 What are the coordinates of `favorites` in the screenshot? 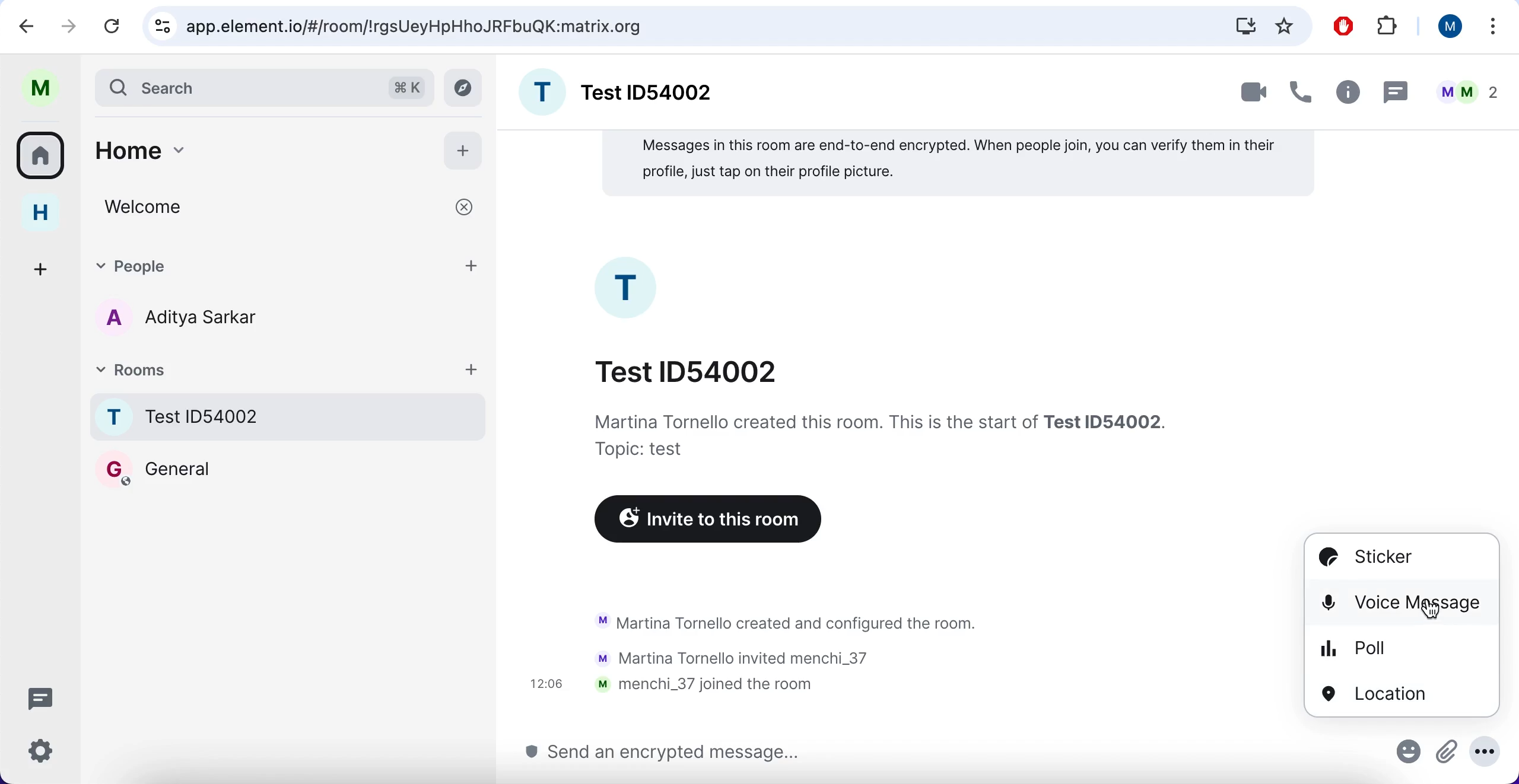 It's located at (1285, 26).